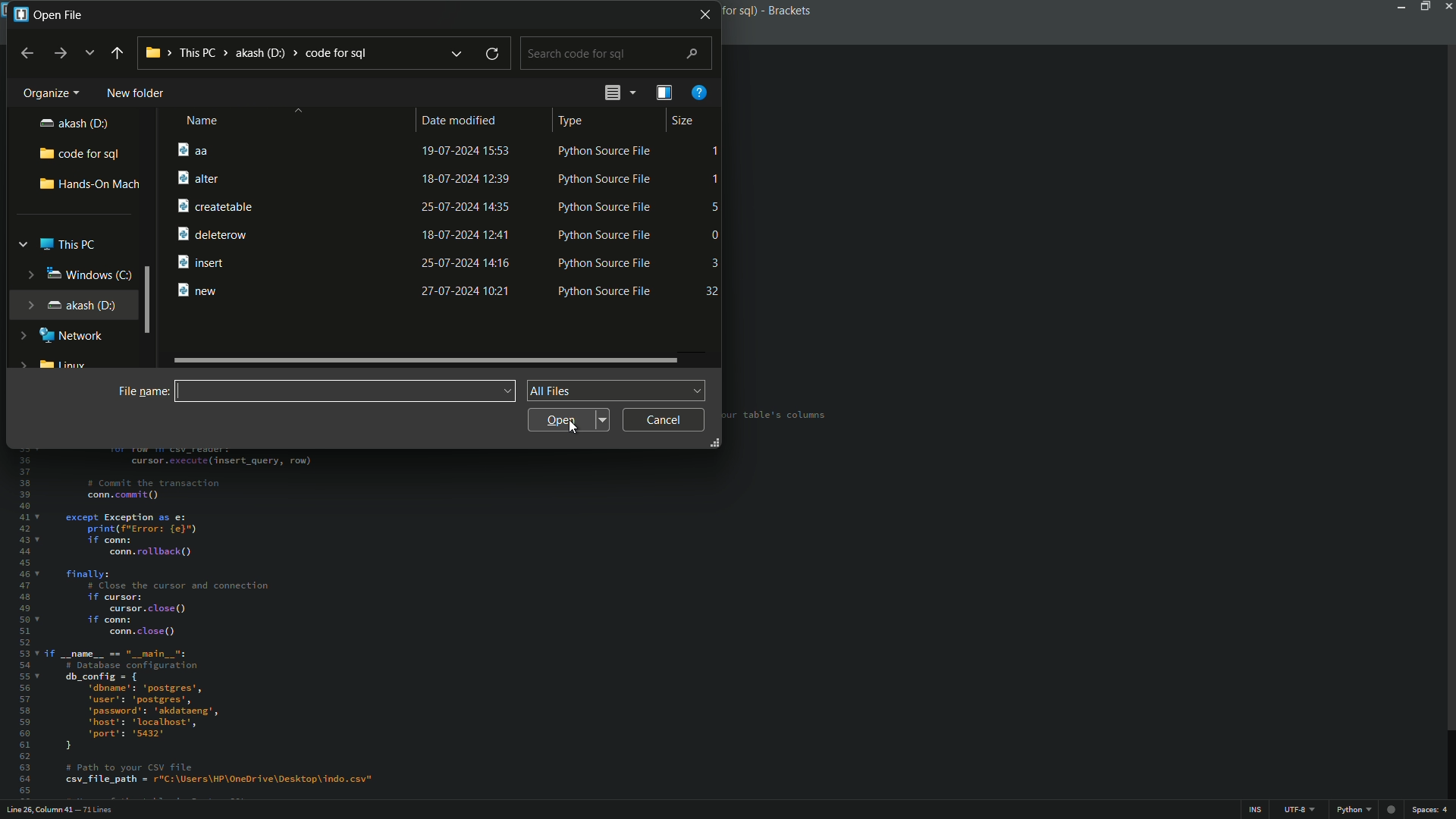  Describe the element at coordinates (440, 620) in the screenshot. I see `file content` at that location.